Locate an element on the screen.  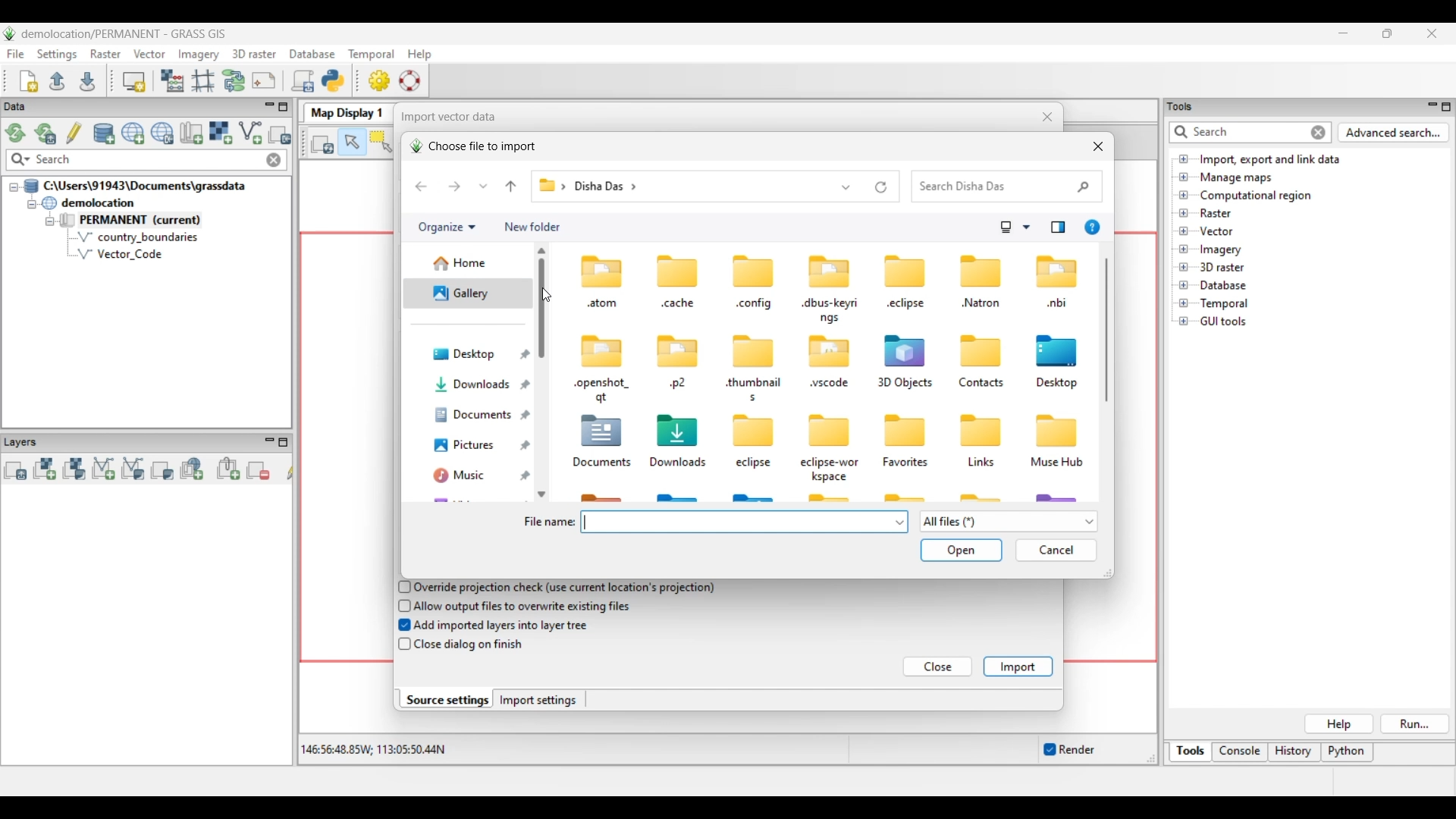
Close interface is located at coordinates (1431, 33).